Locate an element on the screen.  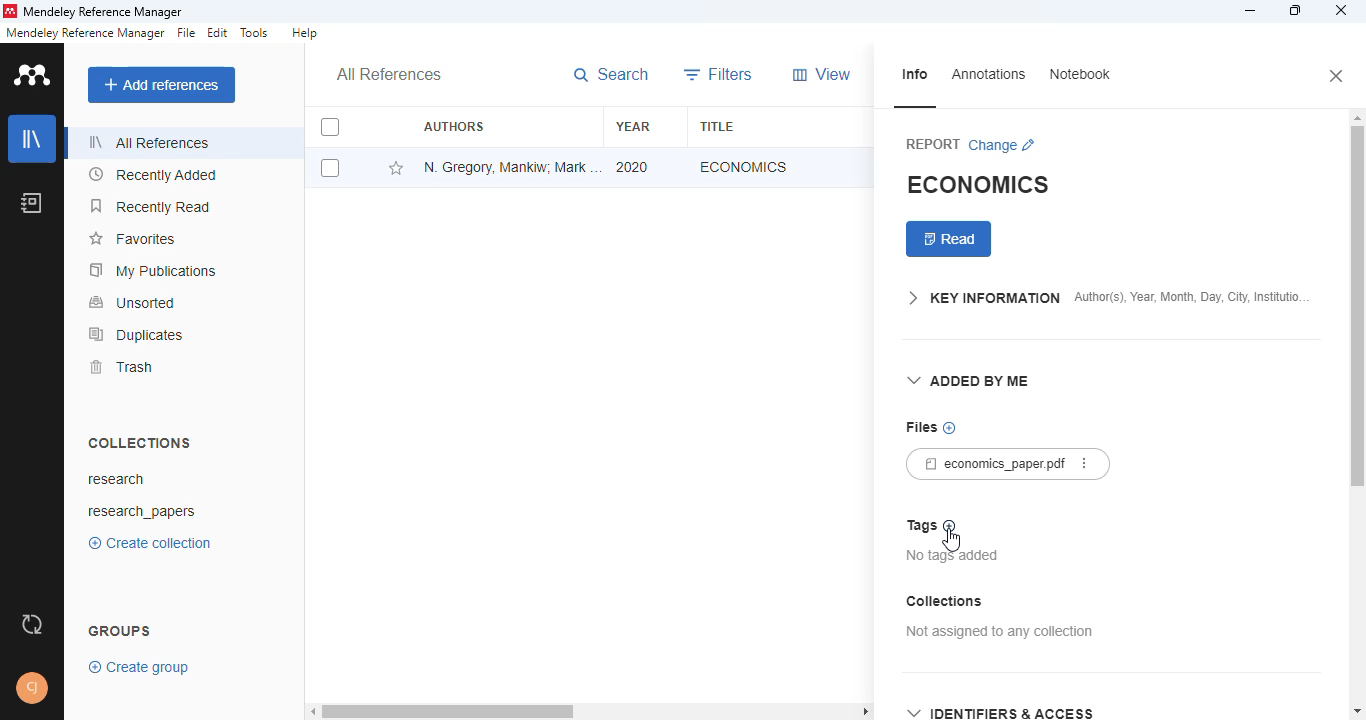
research is located at coordinates (115, 478).